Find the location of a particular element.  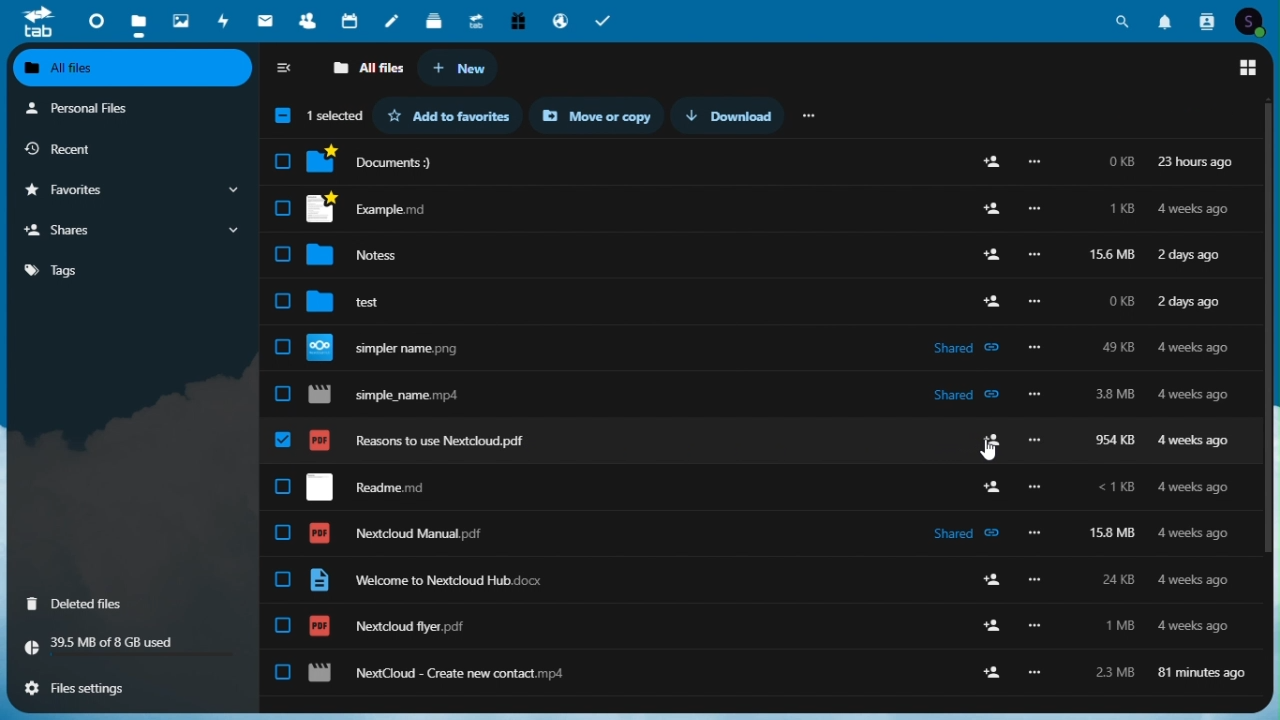

selection box is located at coordinates (316, 115).